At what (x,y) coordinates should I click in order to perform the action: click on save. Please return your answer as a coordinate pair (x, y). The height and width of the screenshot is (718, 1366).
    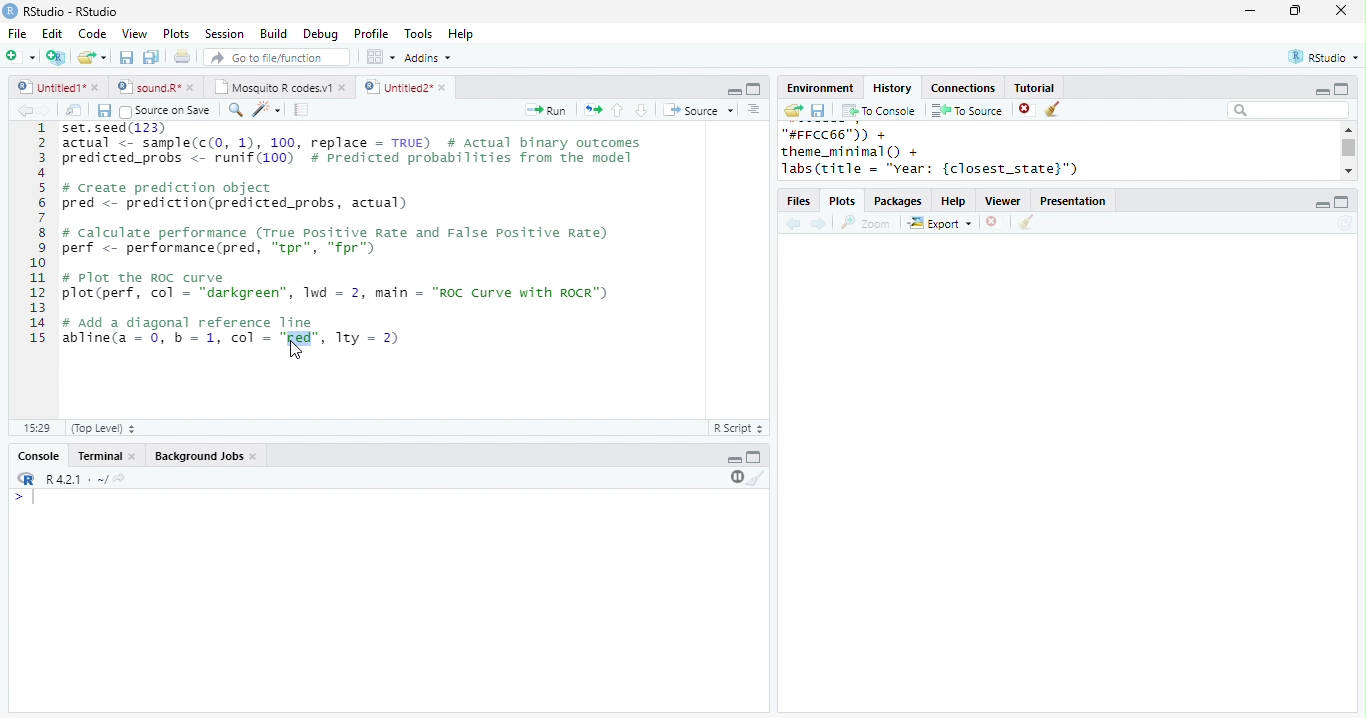
    Looking at the image, I should click on (818, 111).